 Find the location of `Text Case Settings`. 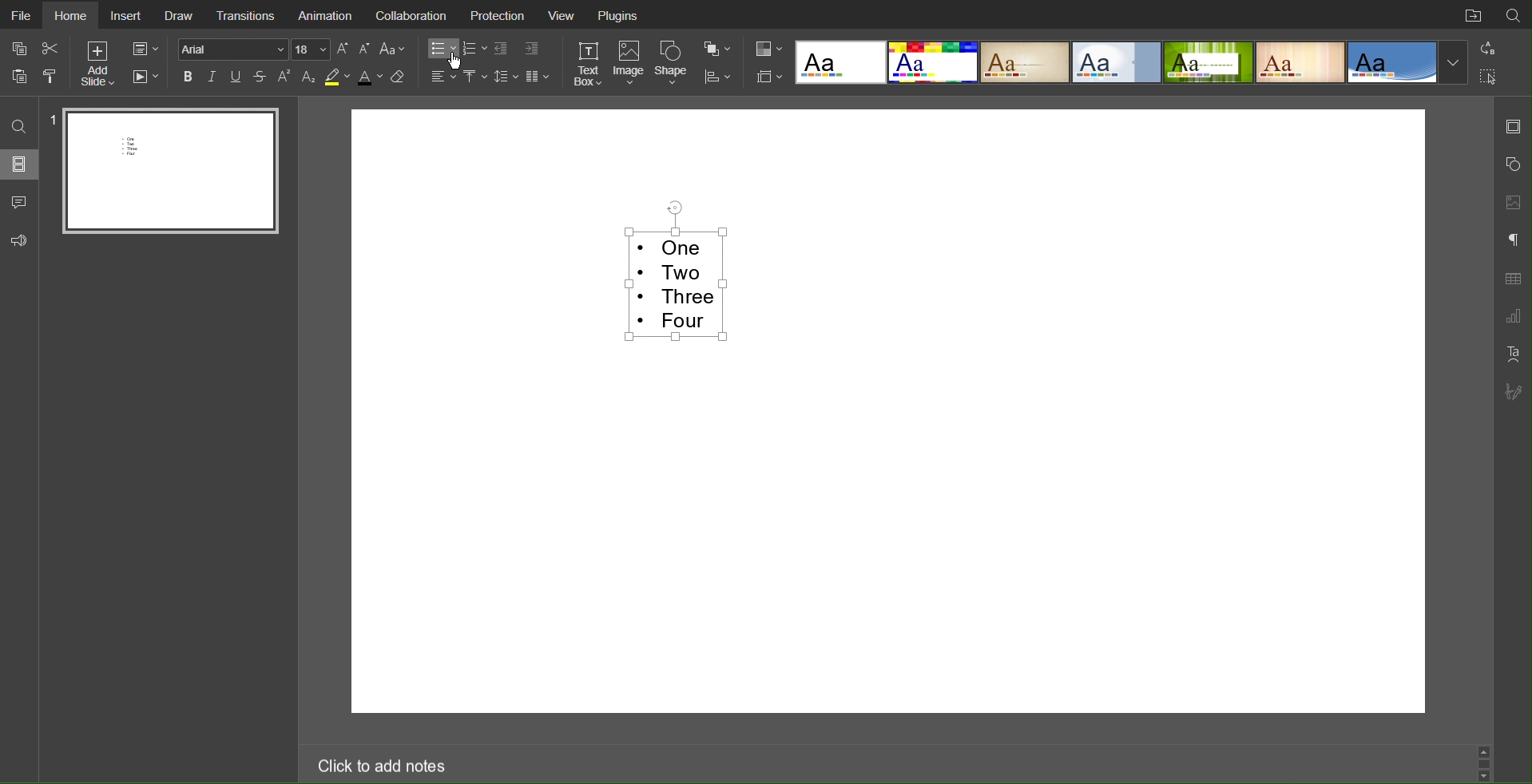

Text Case Settings is located at coordinates (390, 49).